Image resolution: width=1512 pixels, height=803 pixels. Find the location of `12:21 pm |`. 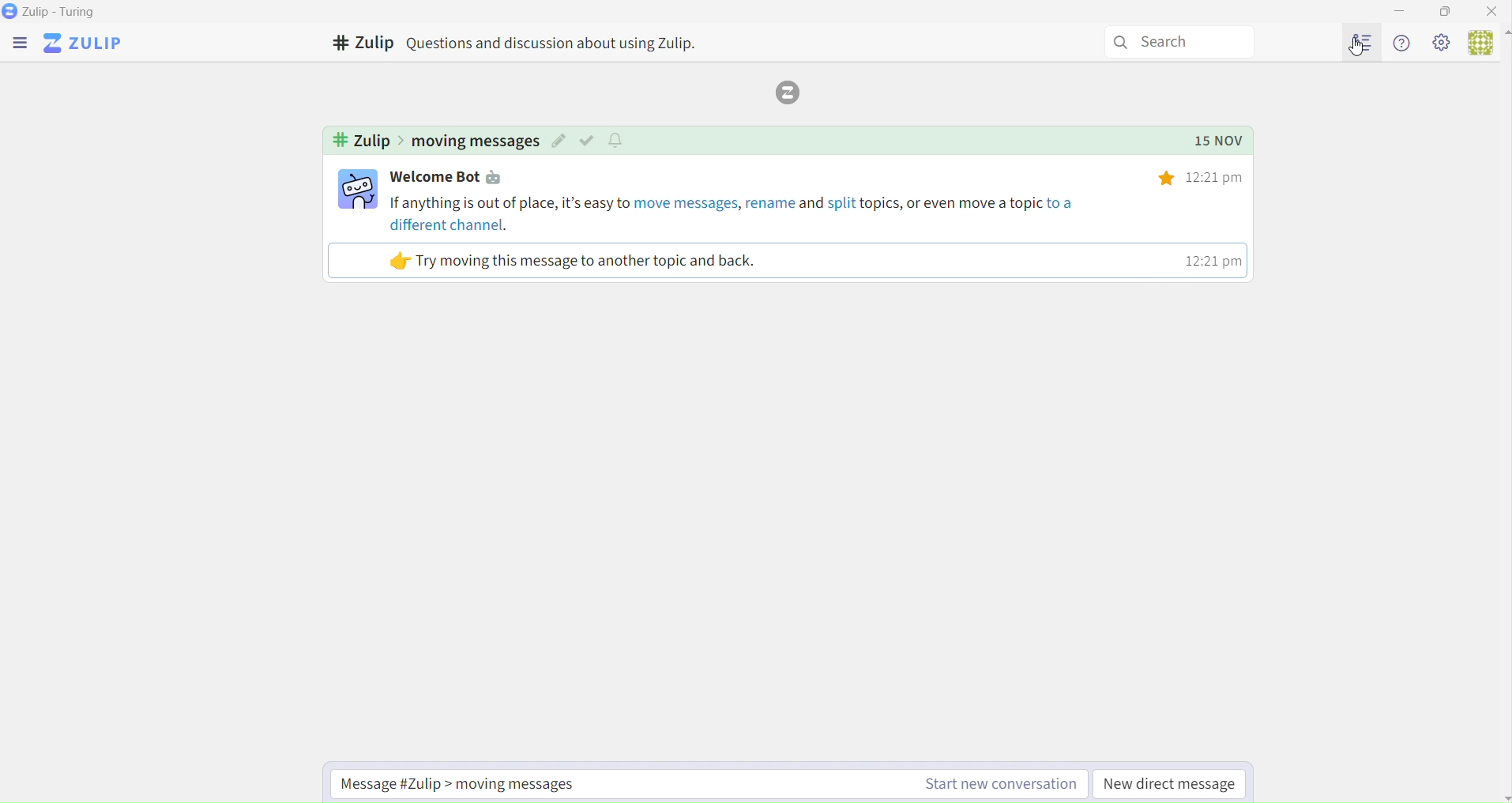

12:21 pm | is located at coordinates (1211, 260).